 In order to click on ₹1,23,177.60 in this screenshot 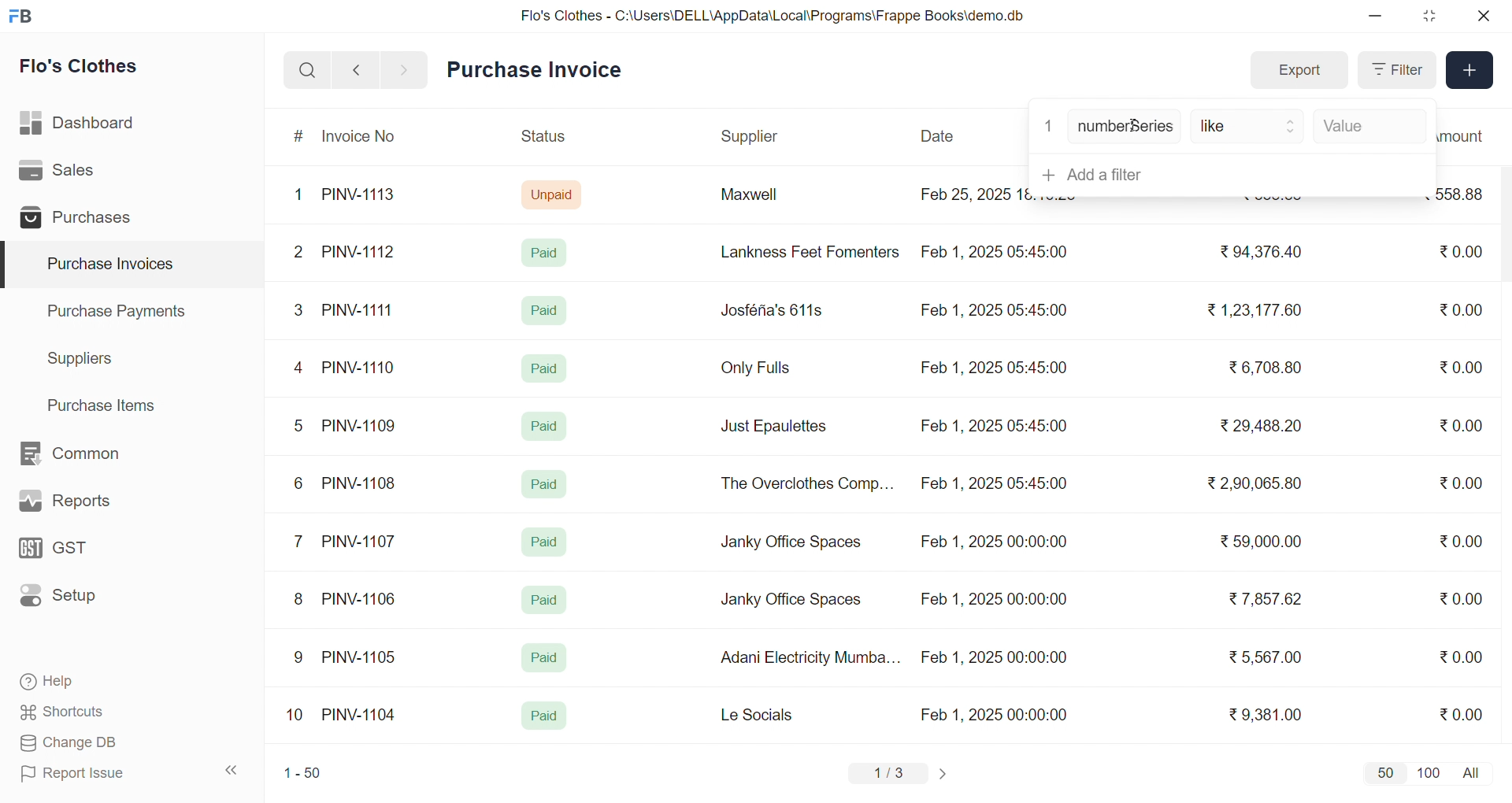, I will do `click(1252, 309)`.